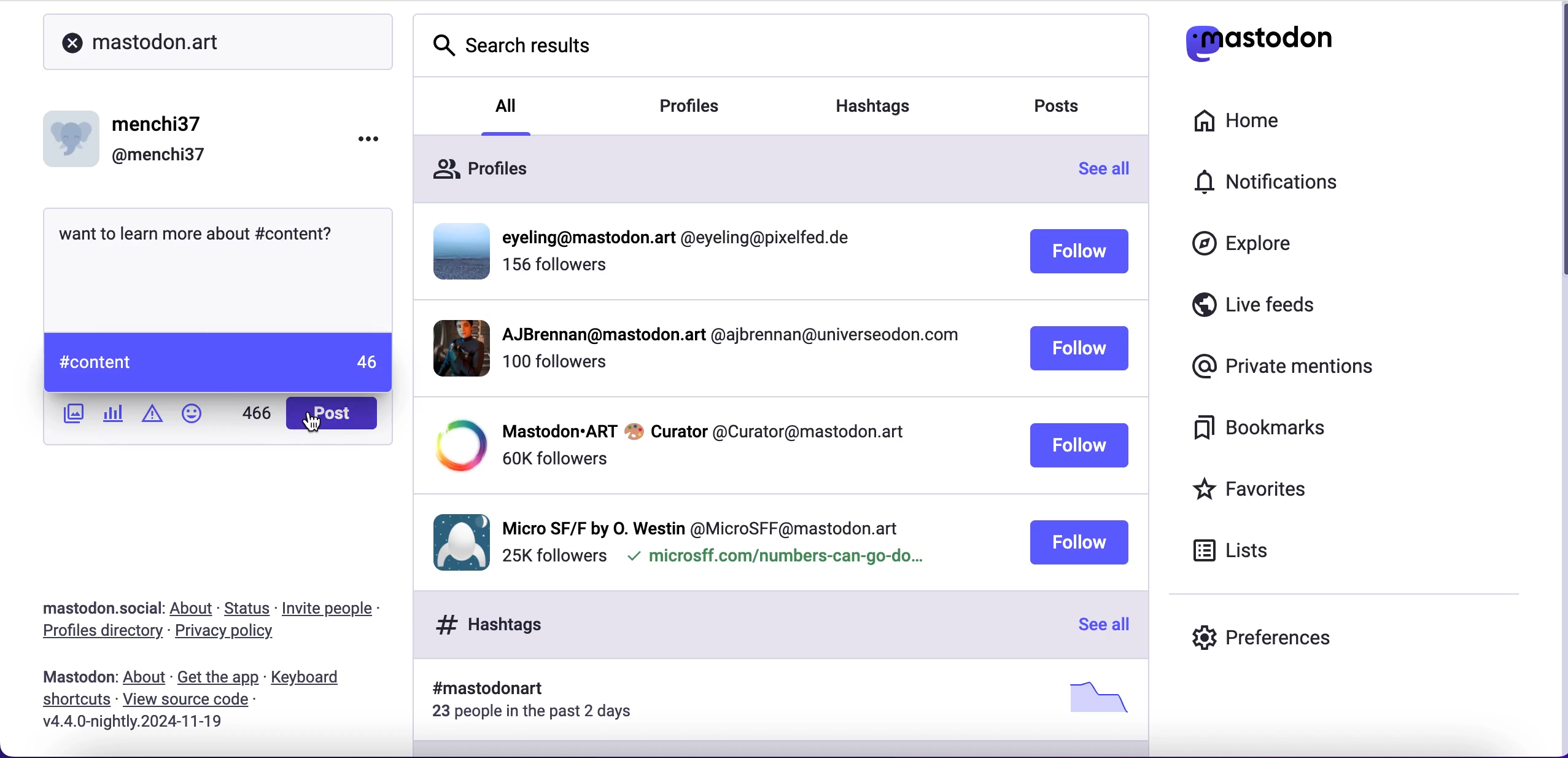 This screenshot has height=758, width=1568. What do you see at coordinates (295, 230) in the screenshot?
I see `#content` at bounding box center [295, 230].